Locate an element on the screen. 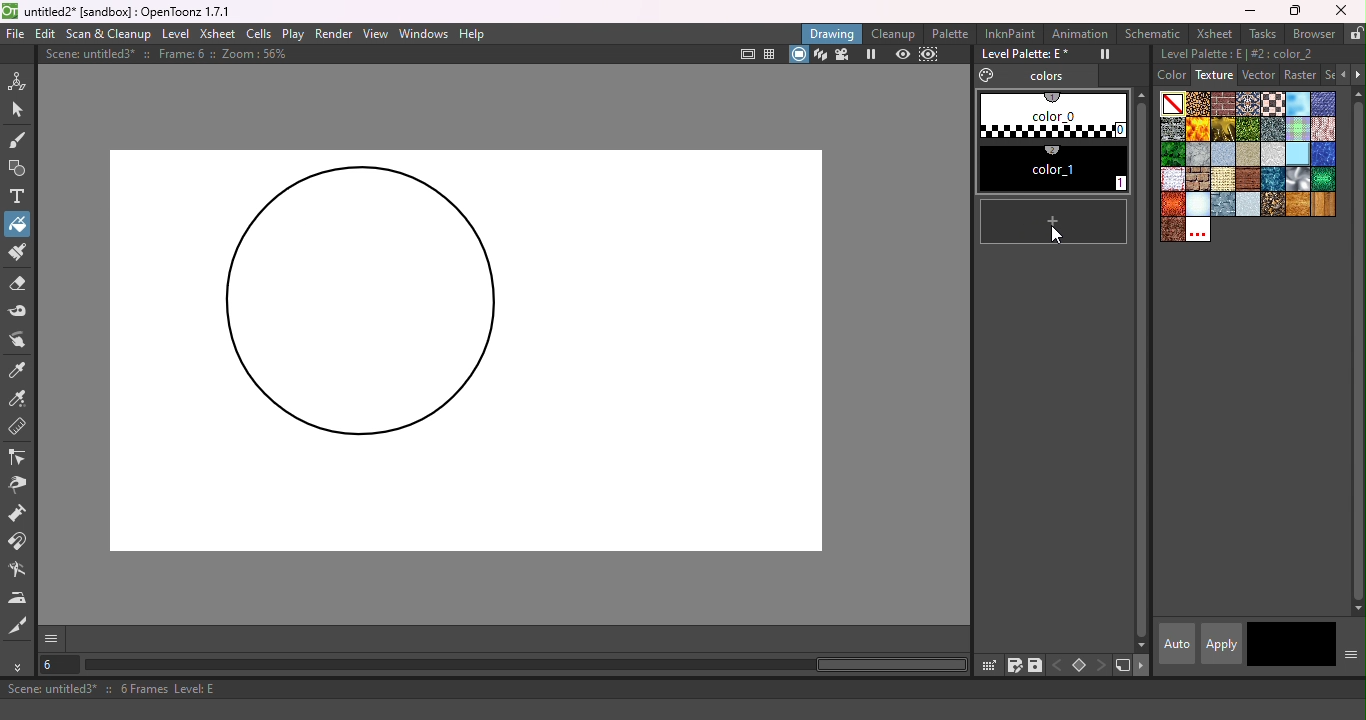 Image resolution: width=1366 pixels, height=720 pixels. Plain color is located at coordinates (1172, 103).